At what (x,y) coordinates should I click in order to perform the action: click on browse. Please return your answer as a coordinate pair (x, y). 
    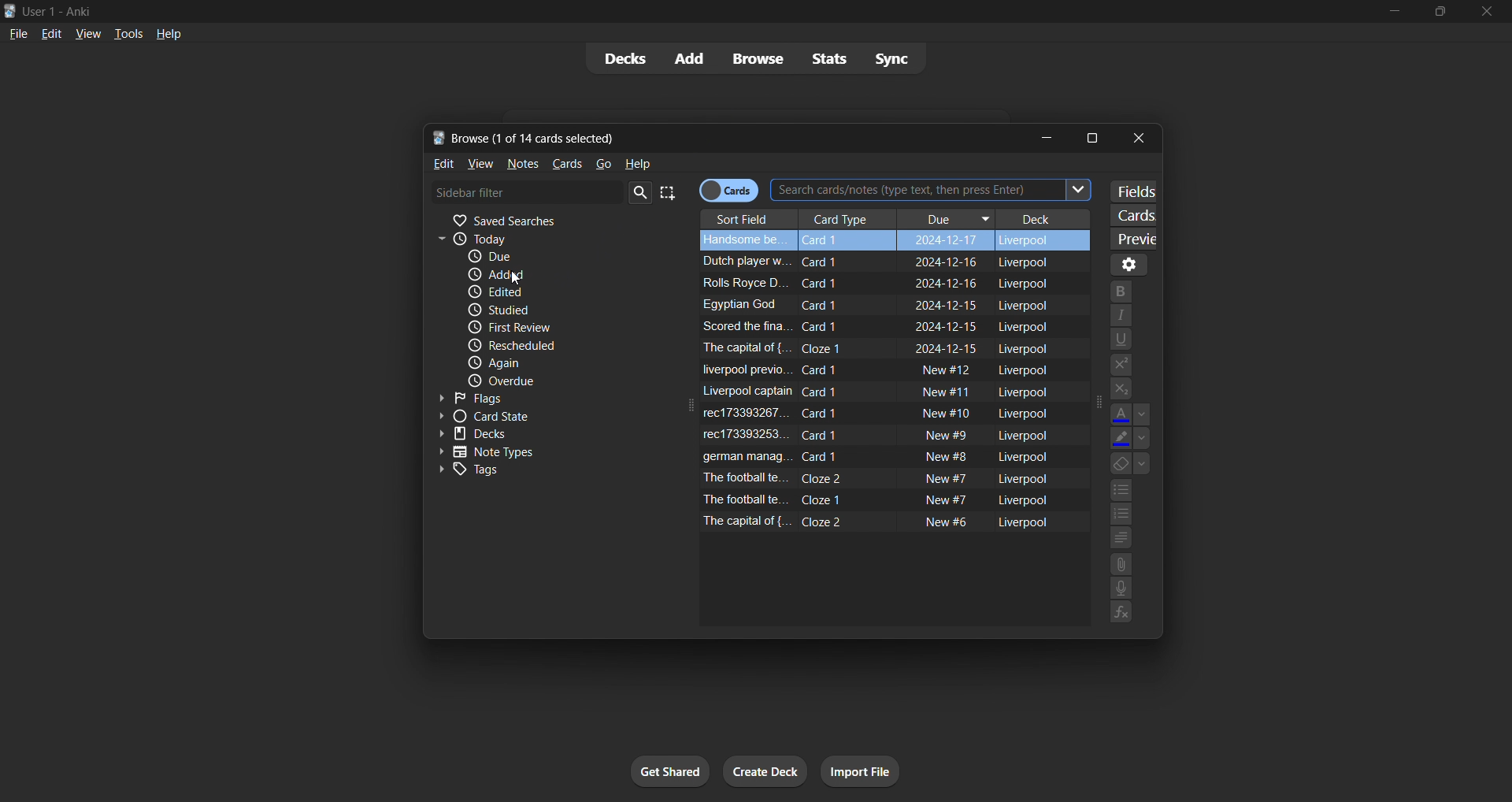
    Looking at the image, I should click on (754, 58).